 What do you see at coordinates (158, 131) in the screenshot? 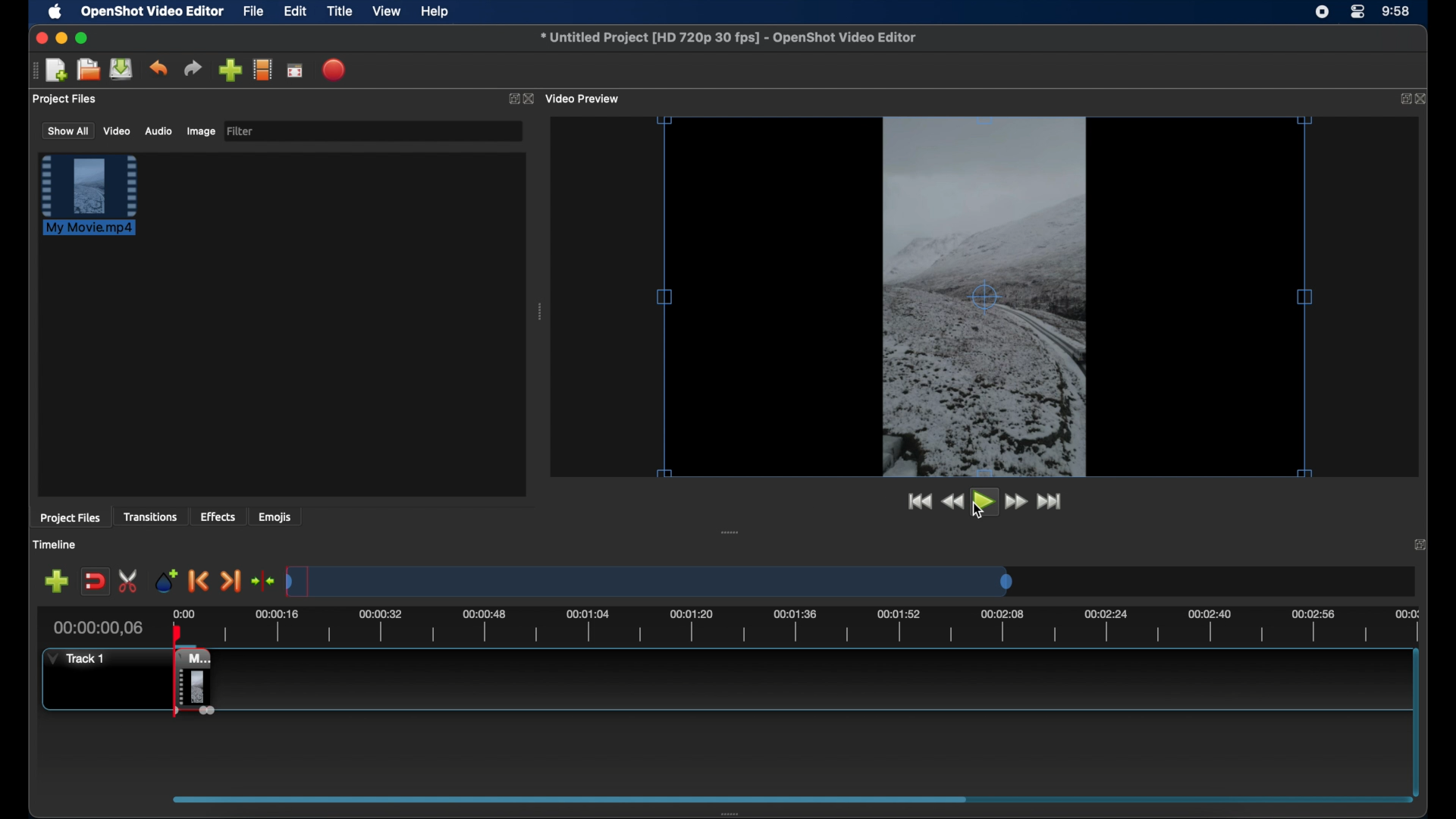
I see `audio` at bounding box center [158, 131].